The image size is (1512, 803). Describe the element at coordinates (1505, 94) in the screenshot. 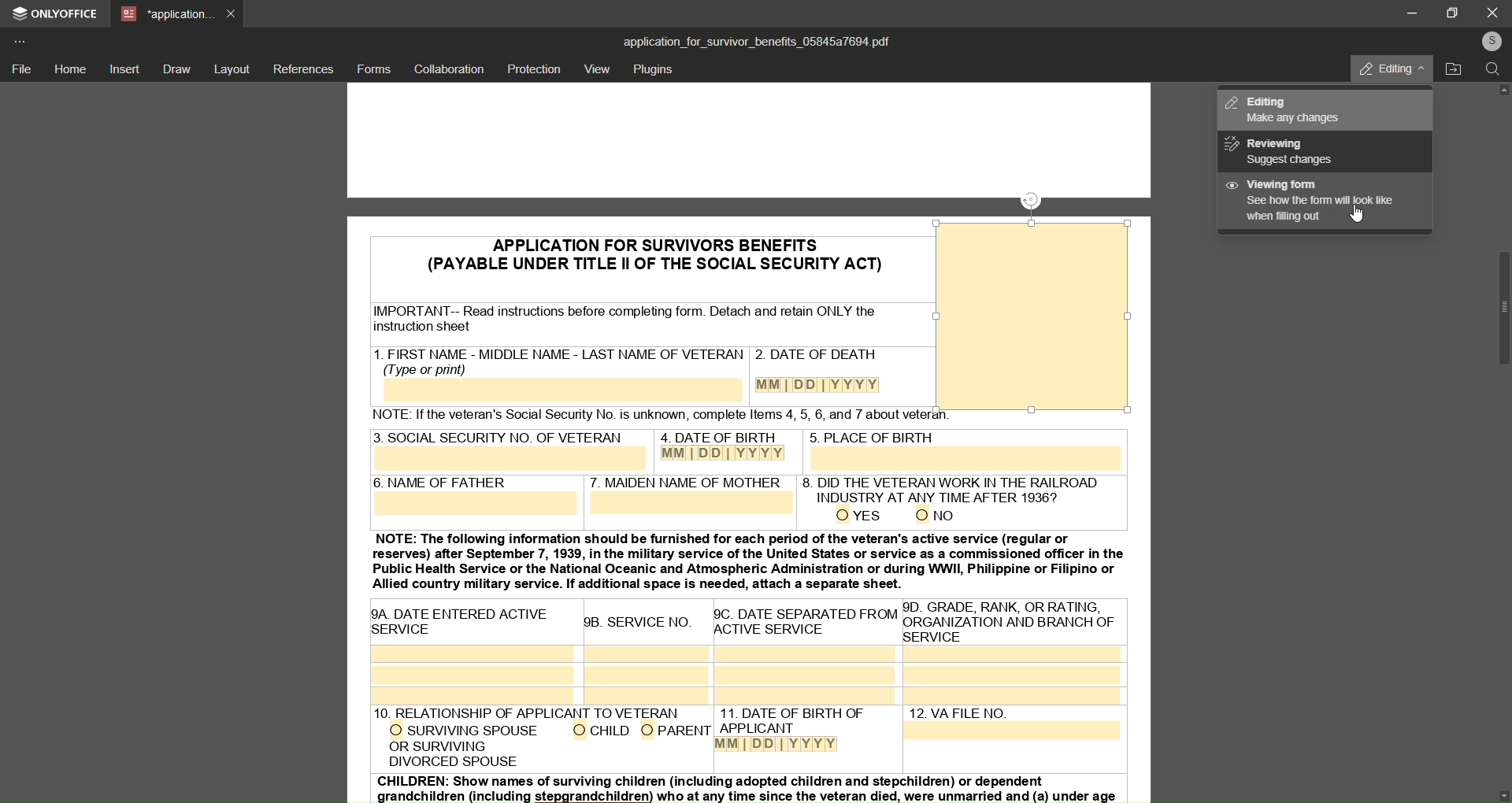

I see `up` at that location.